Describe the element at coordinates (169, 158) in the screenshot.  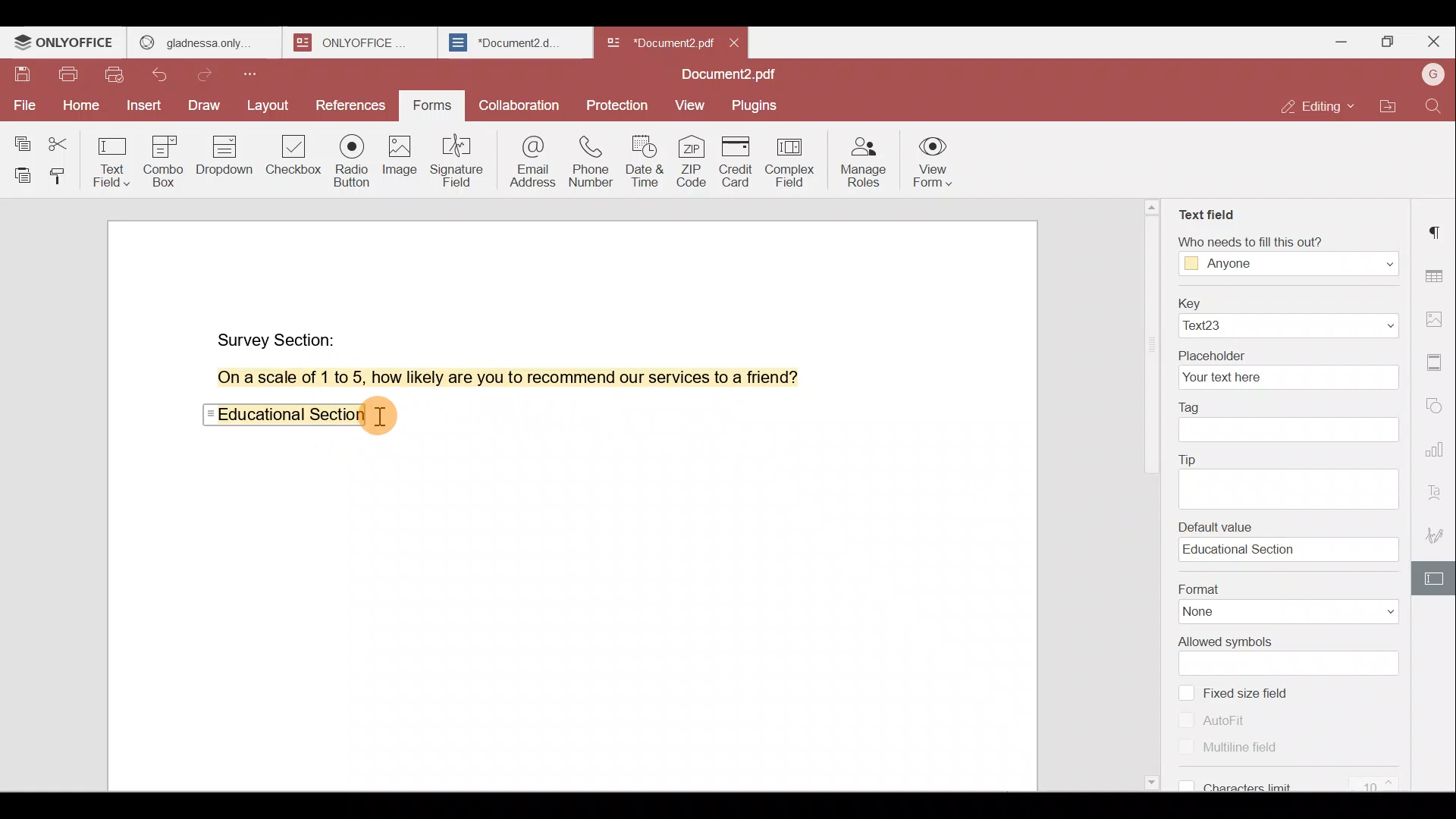
I see `Combo box` at that location.